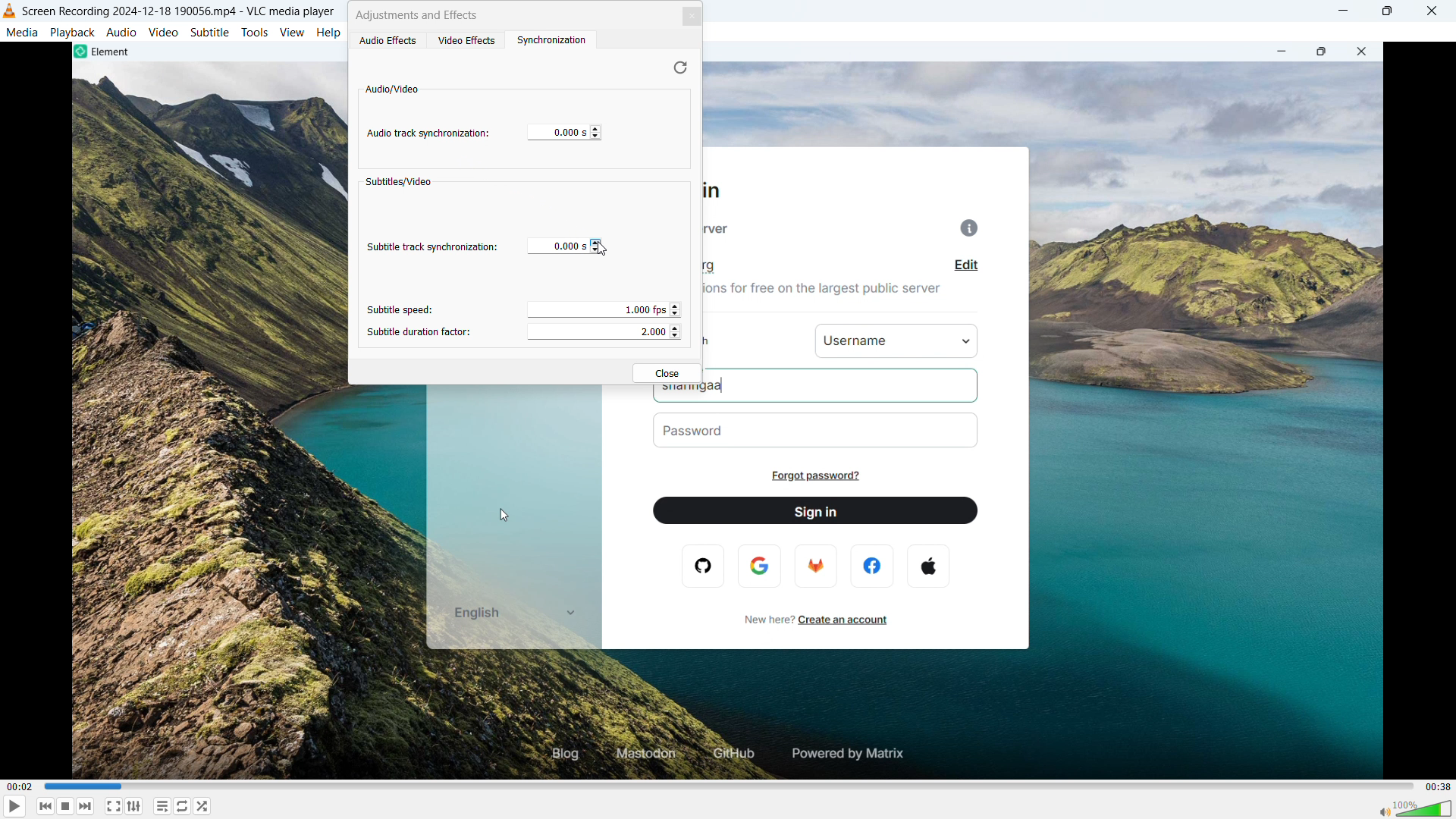 The image size is (1456, 819). What do you see at coordinates (725, 230) in the screenshot?
I see `homeserver` at bounding box center [725, 230].